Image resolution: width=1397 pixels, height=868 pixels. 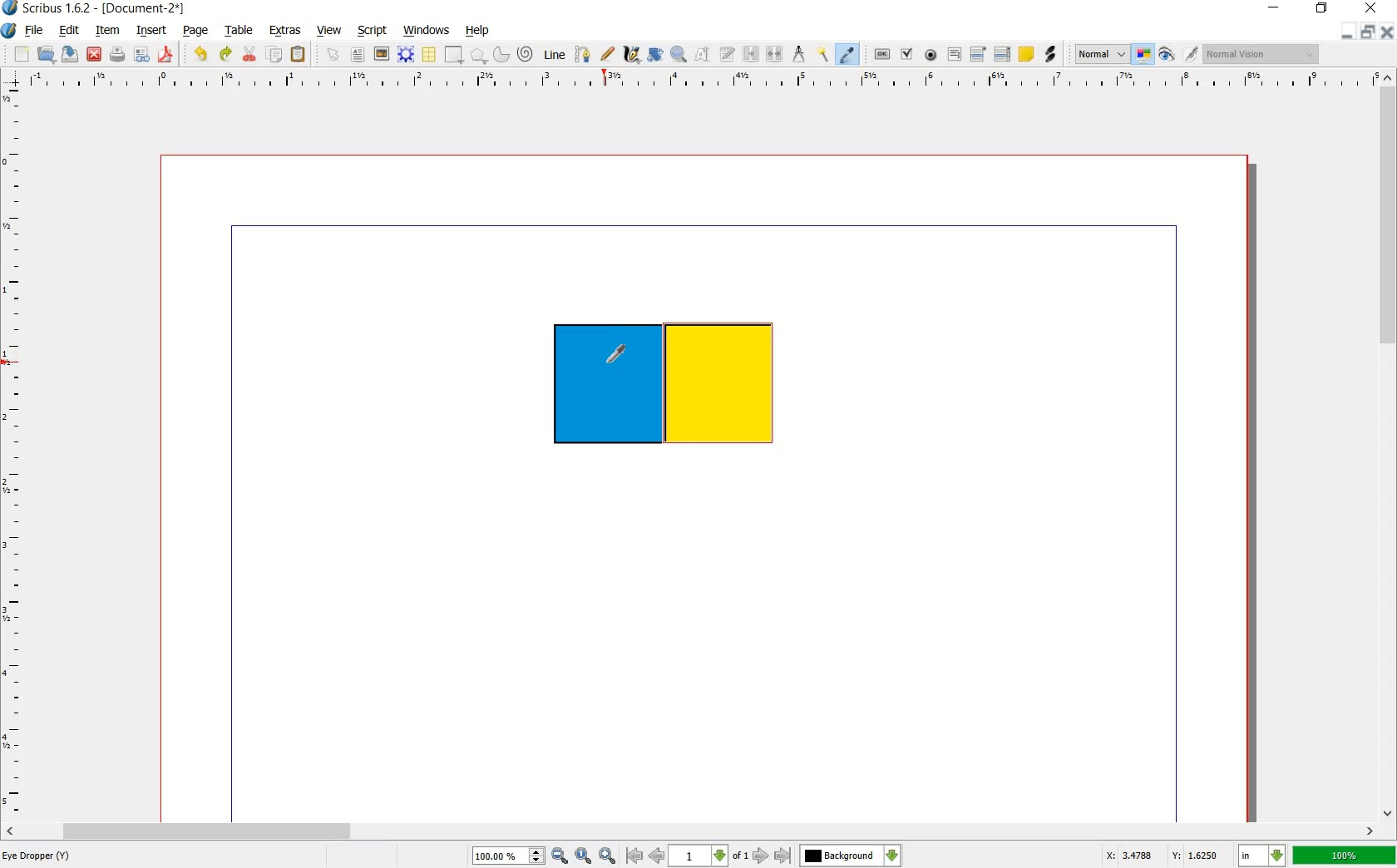 What do you see at coordinates (299, 53) in the screenshot?
I see `paste` at bounding box center [299, 53].